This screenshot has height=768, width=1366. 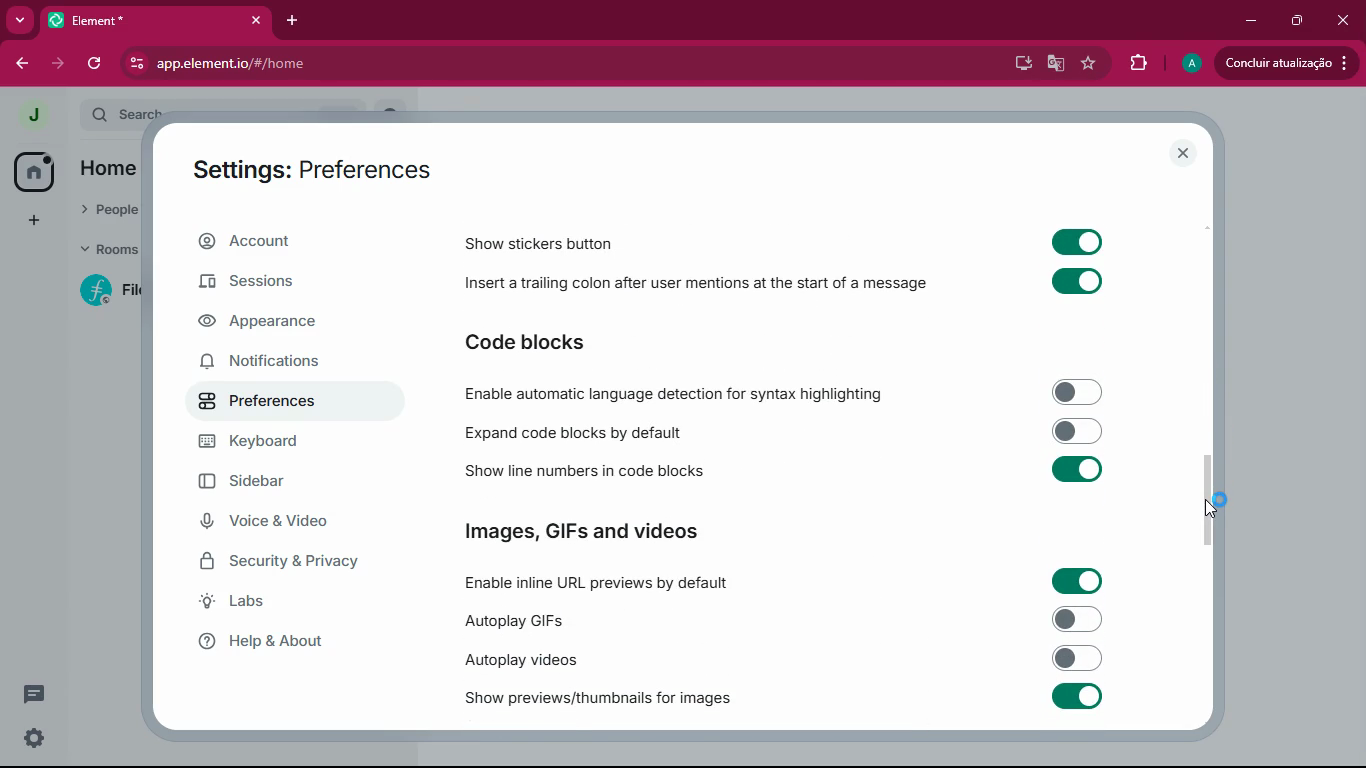 I want to click on Close, so click(x=254, y=21).